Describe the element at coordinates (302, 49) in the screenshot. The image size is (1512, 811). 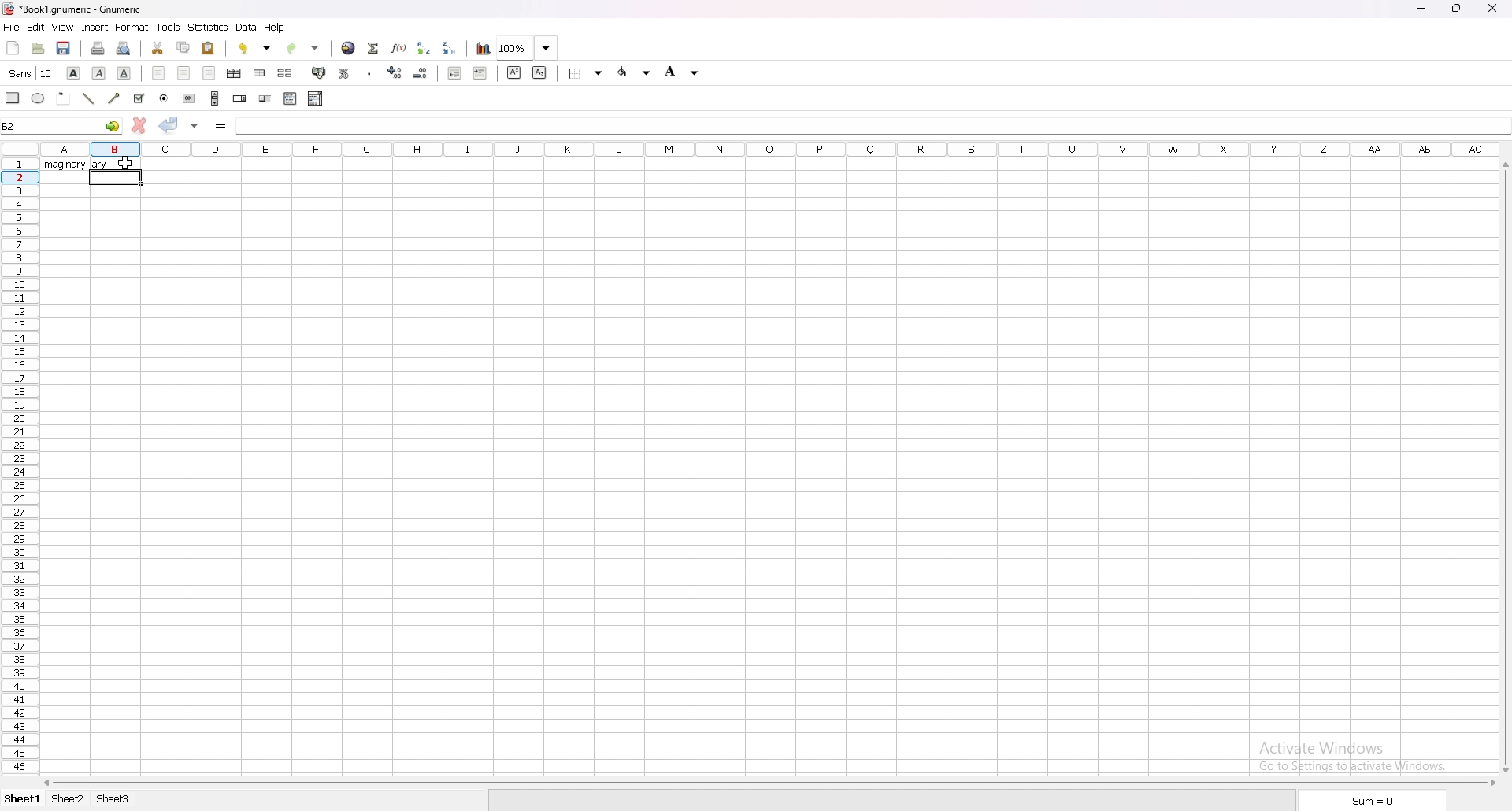
I see `redo` at that location.